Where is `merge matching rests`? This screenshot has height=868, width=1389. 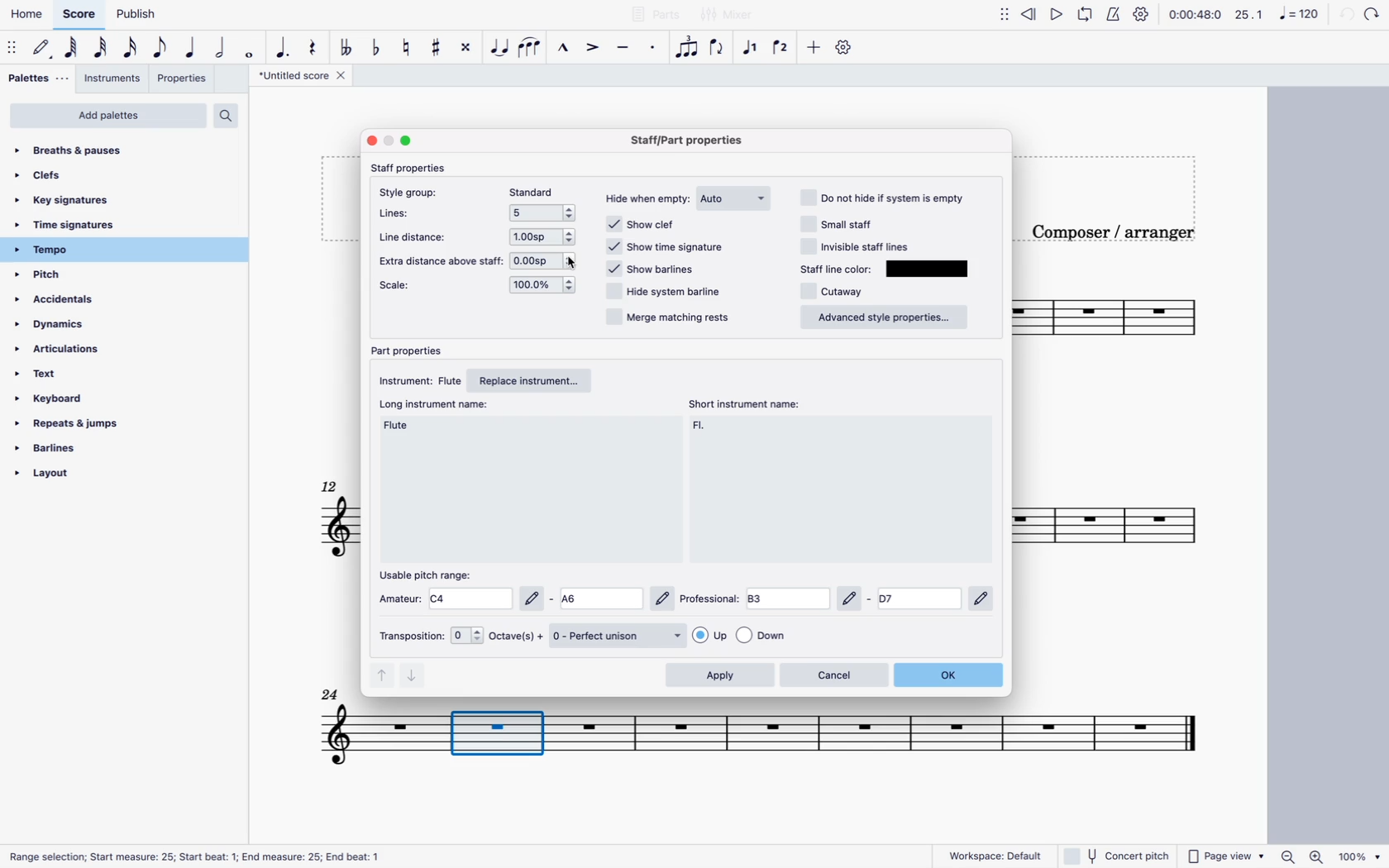 merge matching rests is located at coordinates (666, 320).